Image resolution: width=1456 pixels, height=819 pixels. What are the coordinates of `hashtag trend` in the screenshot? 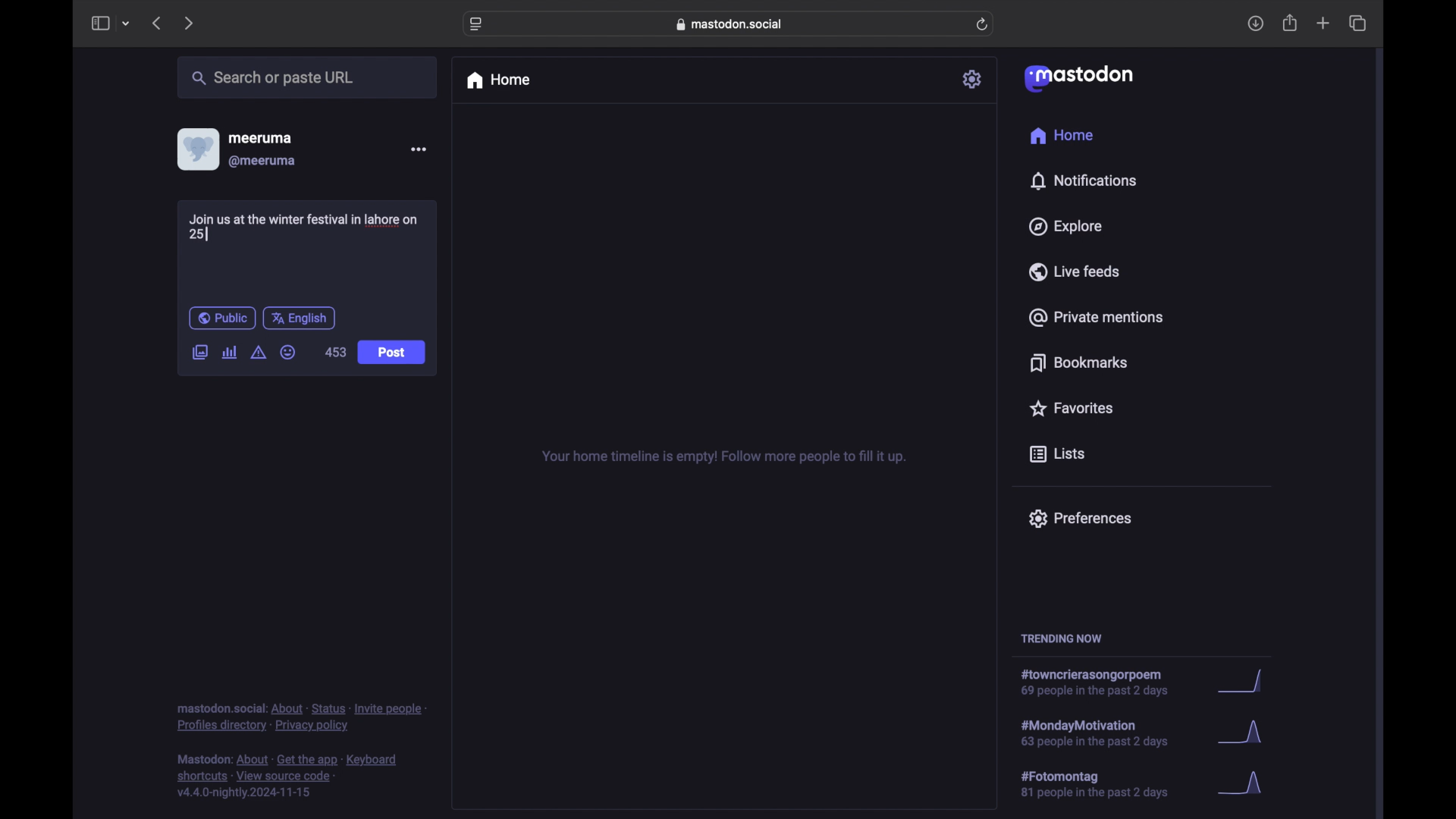 It's located at (1105, 785).